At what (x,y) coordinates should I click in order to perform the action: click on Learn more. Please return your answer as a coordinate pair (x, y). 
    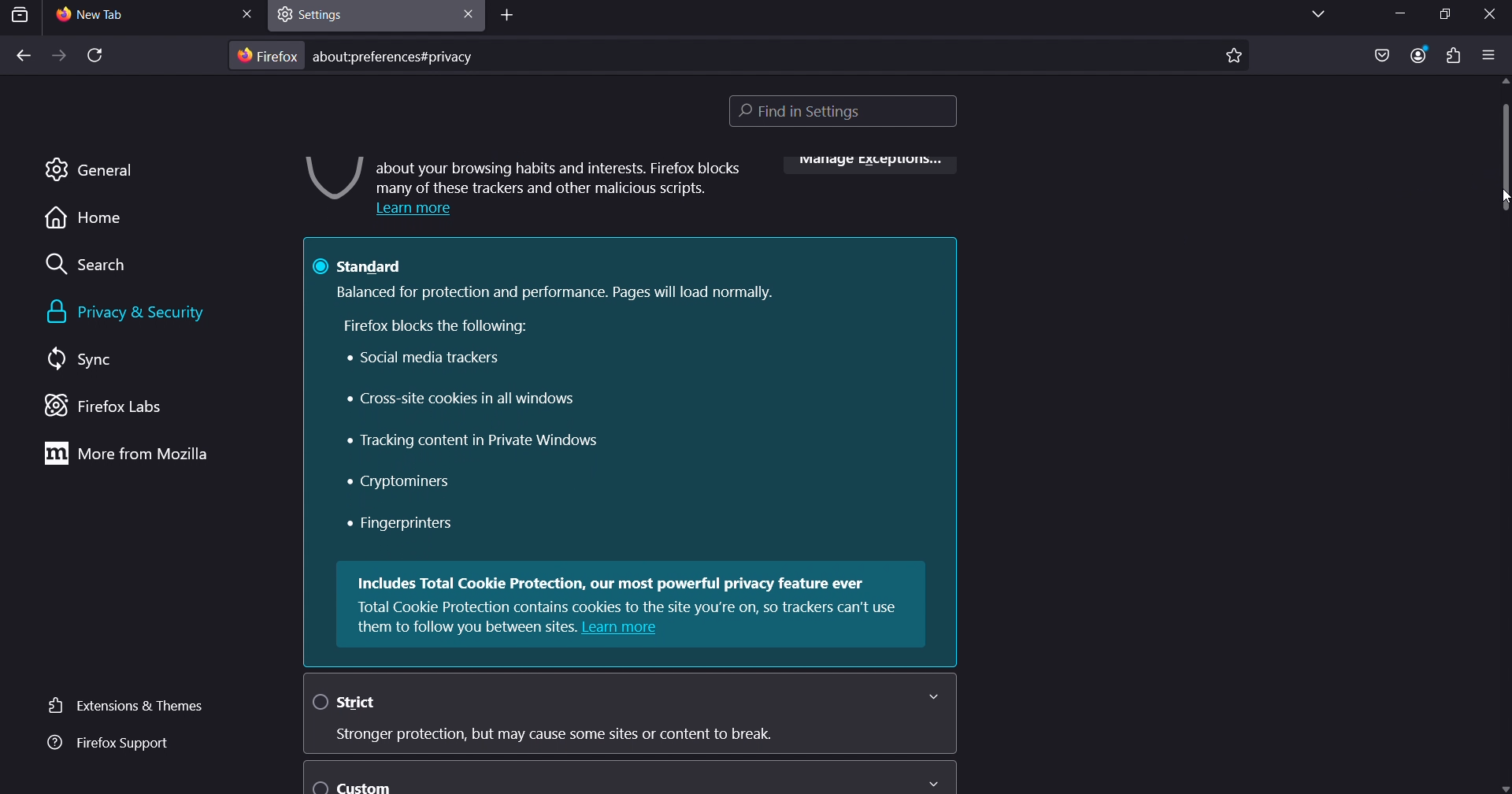
    Looking at the image, I should click on (623, 628).